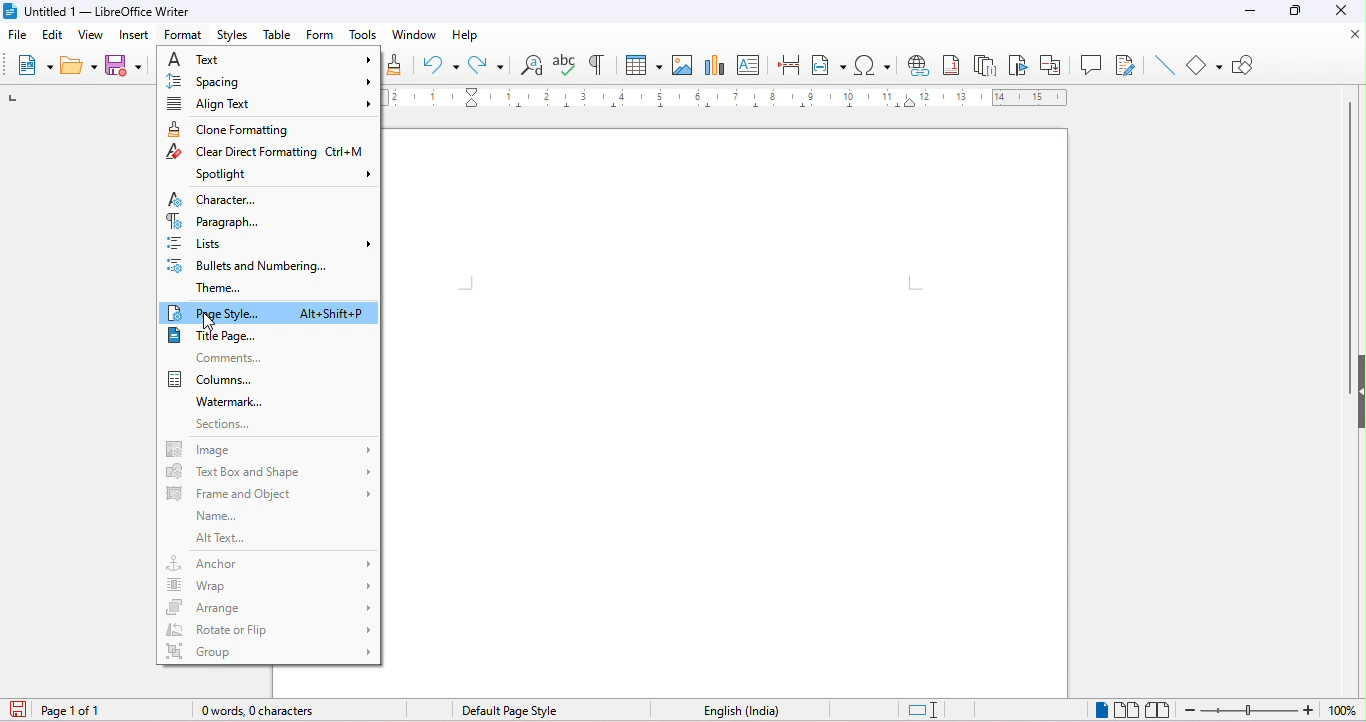 This screenshot has width=1366, height=722. I want to click on cursor movement, so click(209, 321).